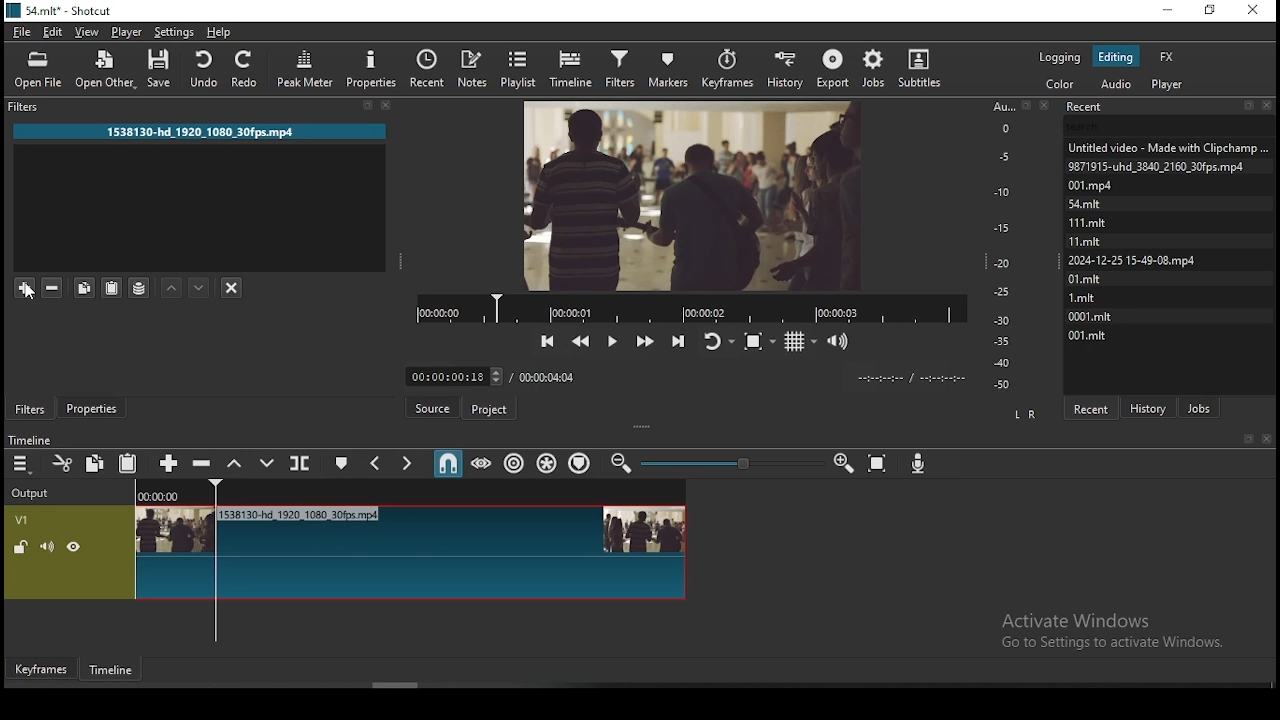  I want to click on playlist, so click(520, 69).